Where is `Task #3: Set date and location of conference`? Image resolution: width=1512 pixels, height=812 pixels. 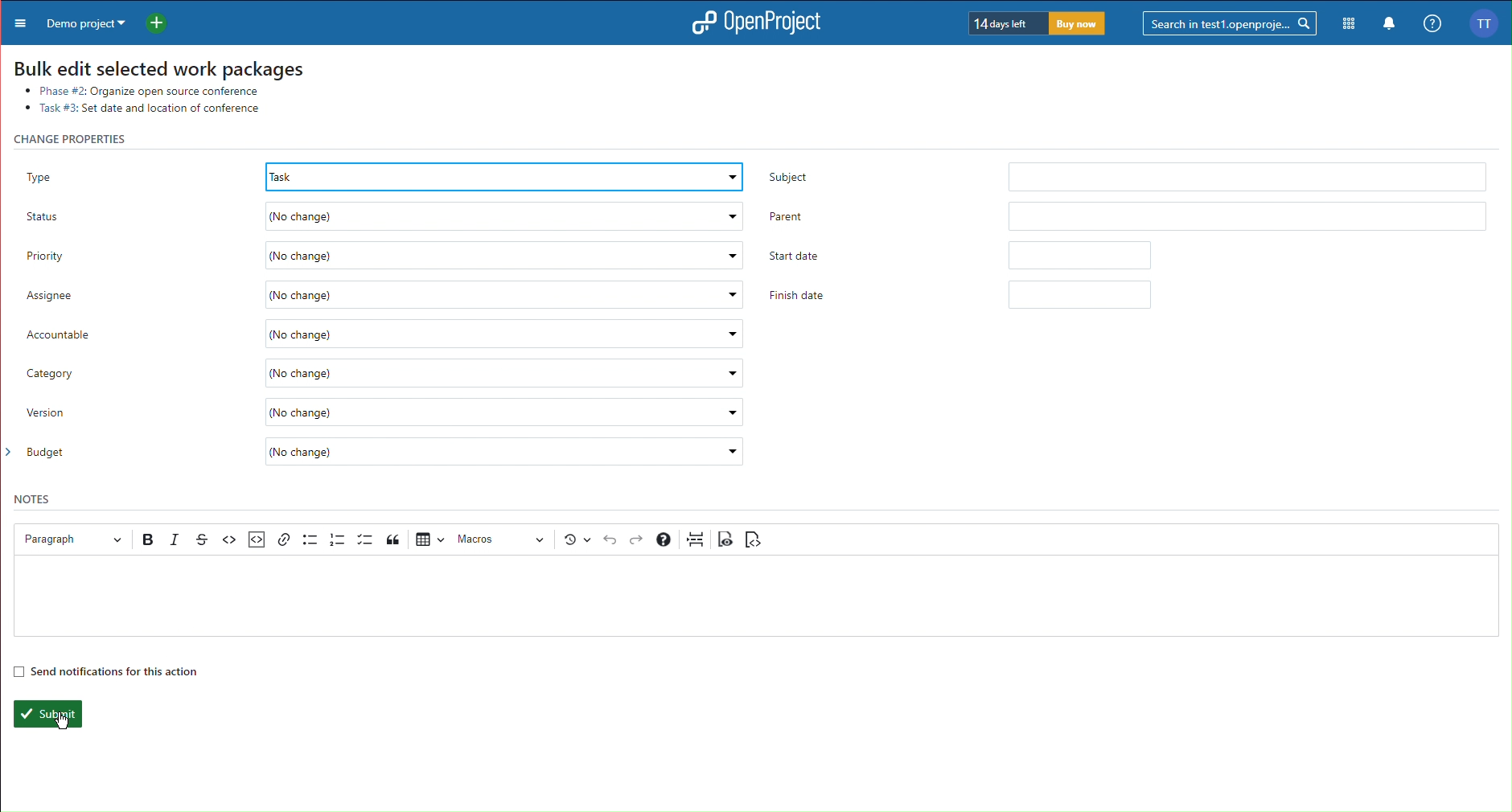
Task #3: Set date and location of conference is located at coordinates (150, 109).